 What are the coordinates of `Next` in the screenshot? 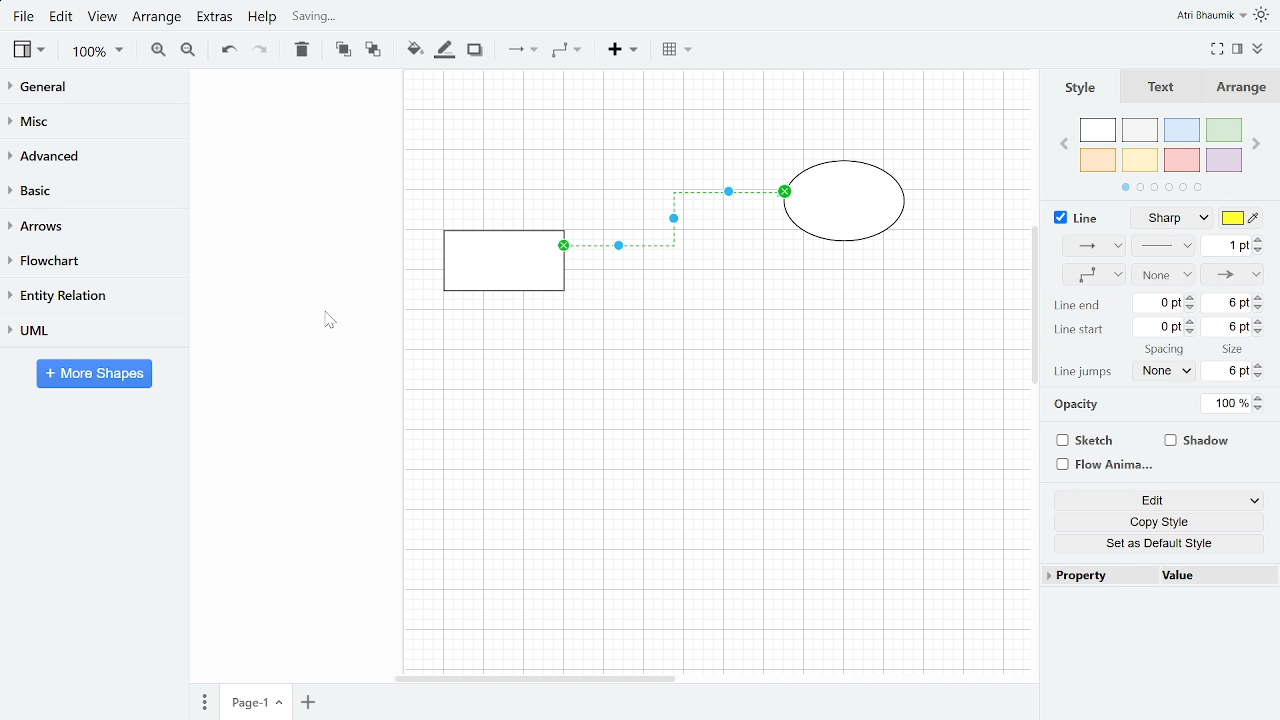 It's located at (1257, 145).